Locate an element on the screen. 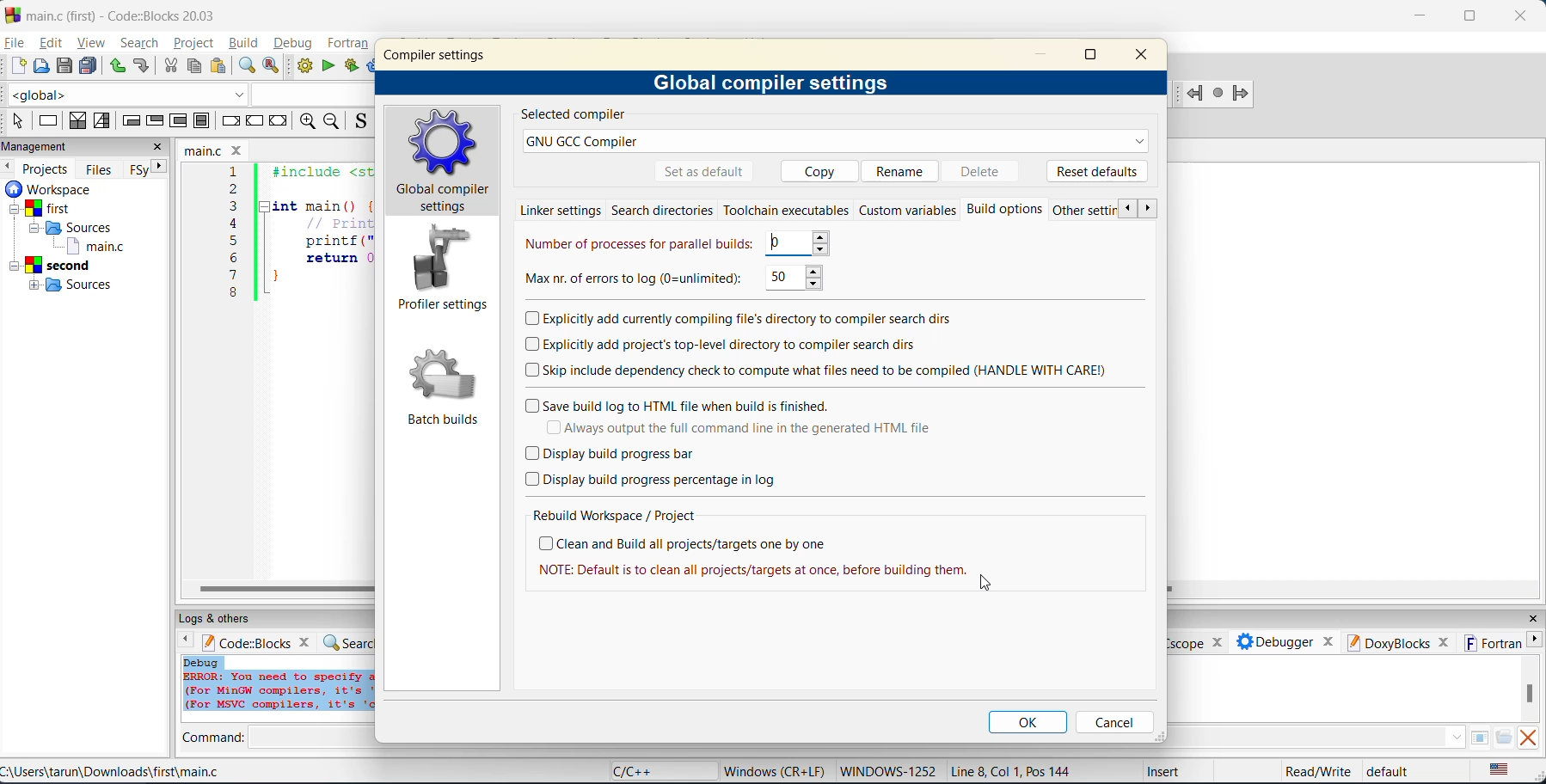 The image size is (1546, 784). minimize is located at coordinates (1421, 15).